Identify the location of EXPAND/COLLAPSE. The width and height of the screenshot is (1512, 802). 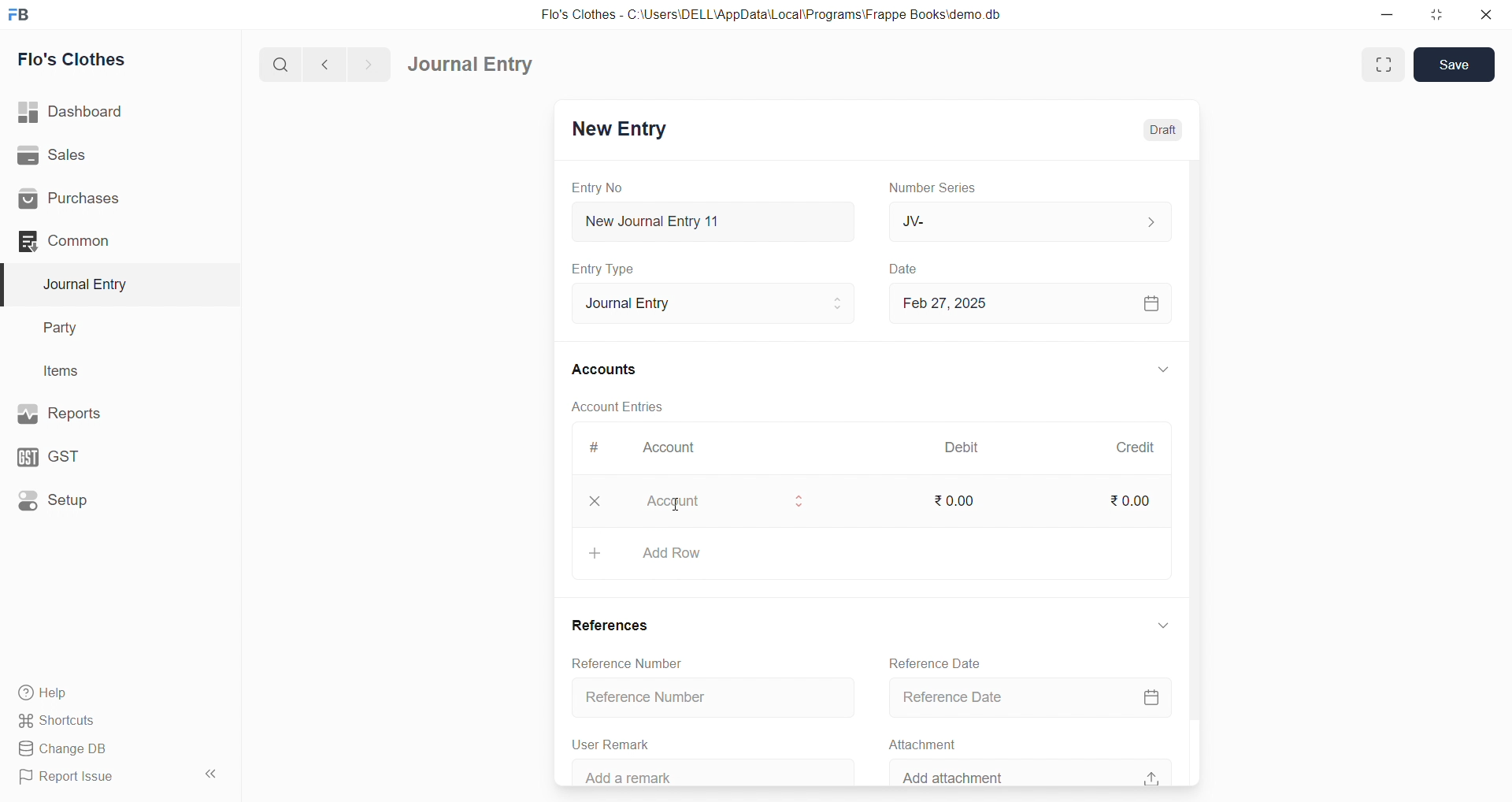
(1162, 369).